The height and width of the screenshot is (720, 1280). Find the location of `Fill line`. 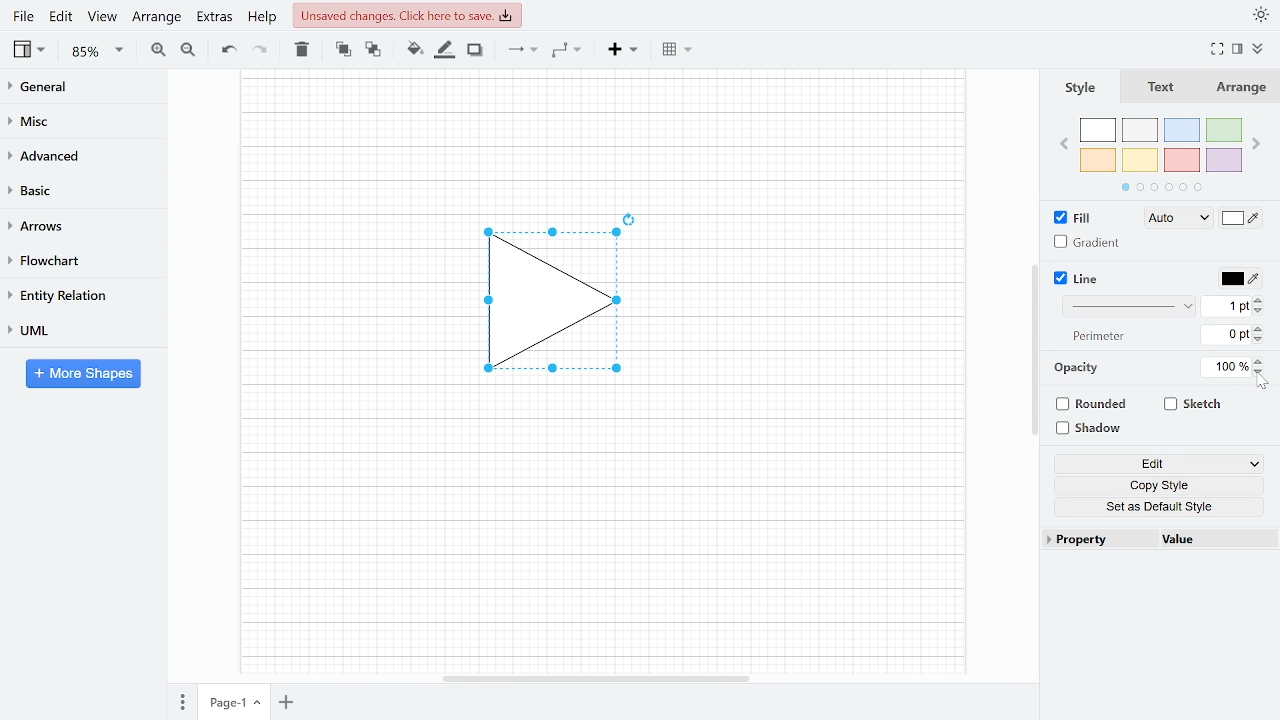

Fill line is located at coordinates (444, 50).